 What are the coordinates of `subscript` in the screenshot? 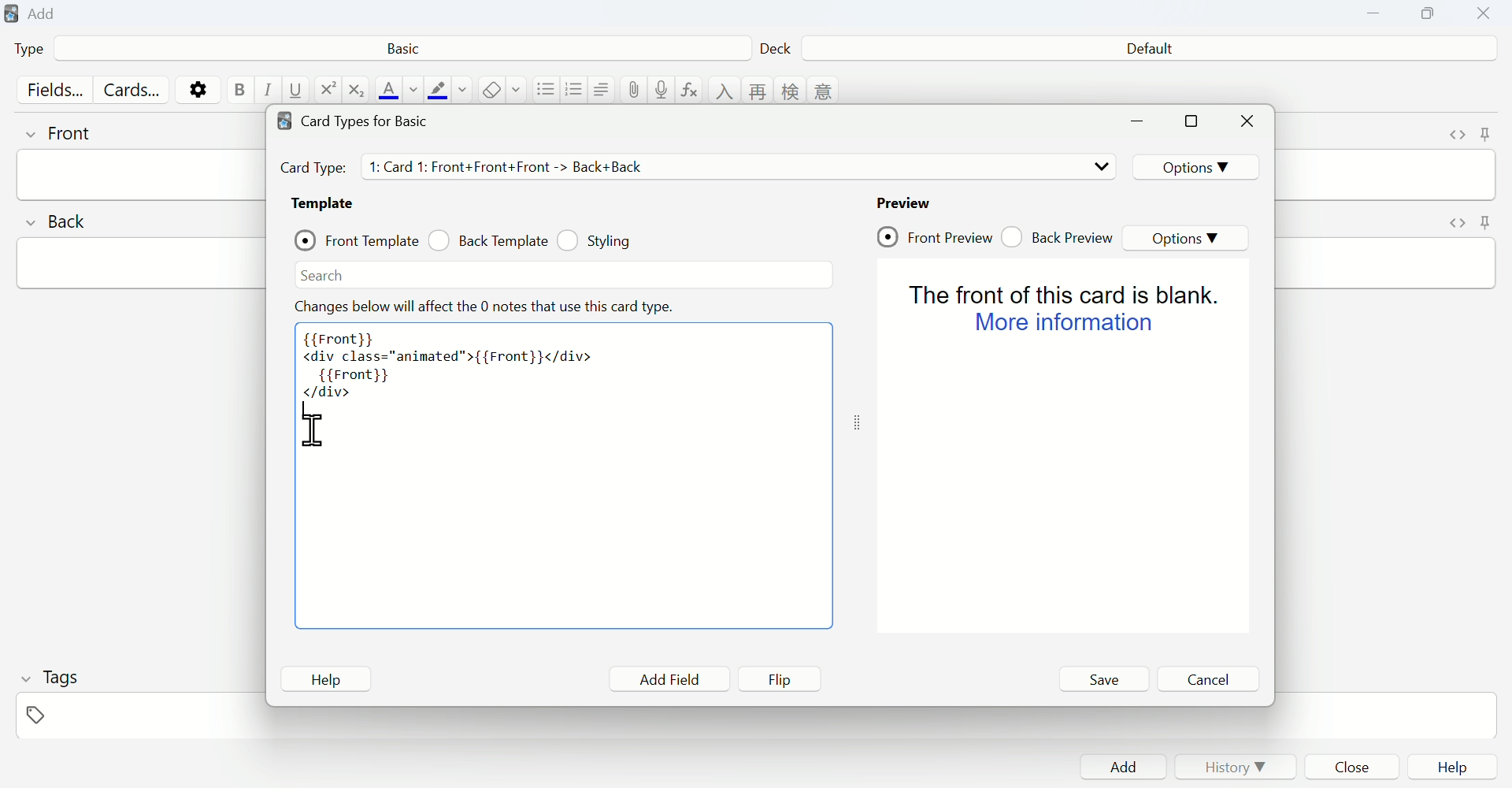 It's located at (357, 90).